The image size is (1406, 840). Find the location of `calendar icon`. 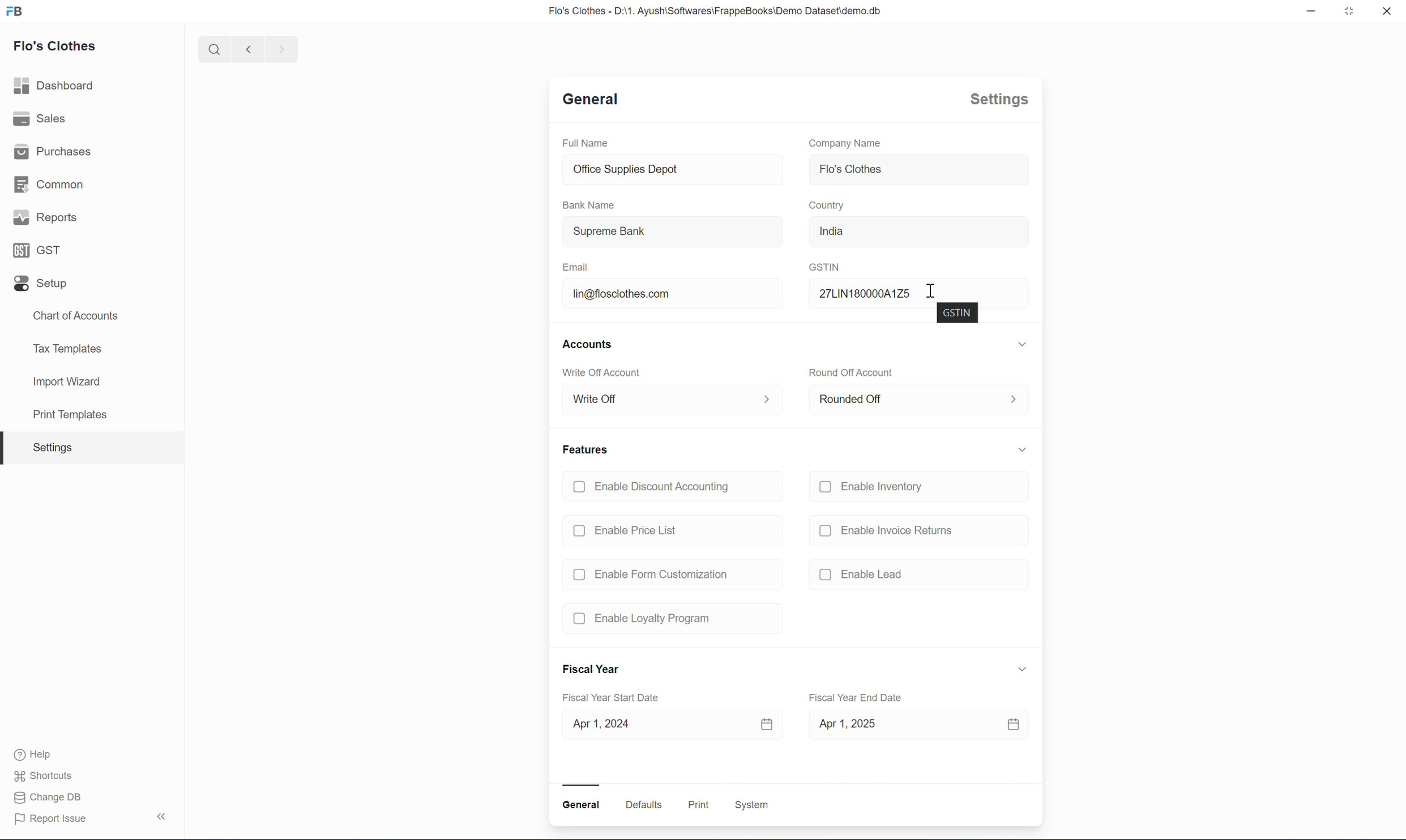

calendar icon is located at coordinates (767, 724).